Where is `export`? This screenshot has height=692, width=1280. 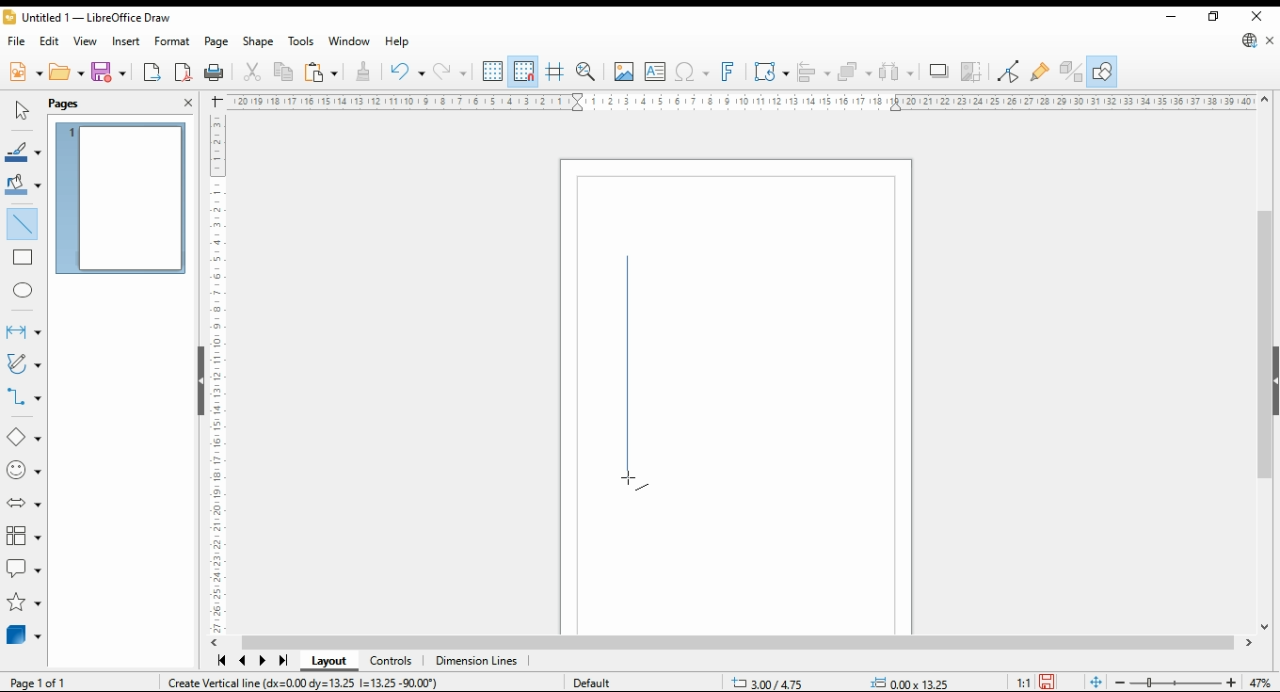
export is located at coordinates (153, 73).